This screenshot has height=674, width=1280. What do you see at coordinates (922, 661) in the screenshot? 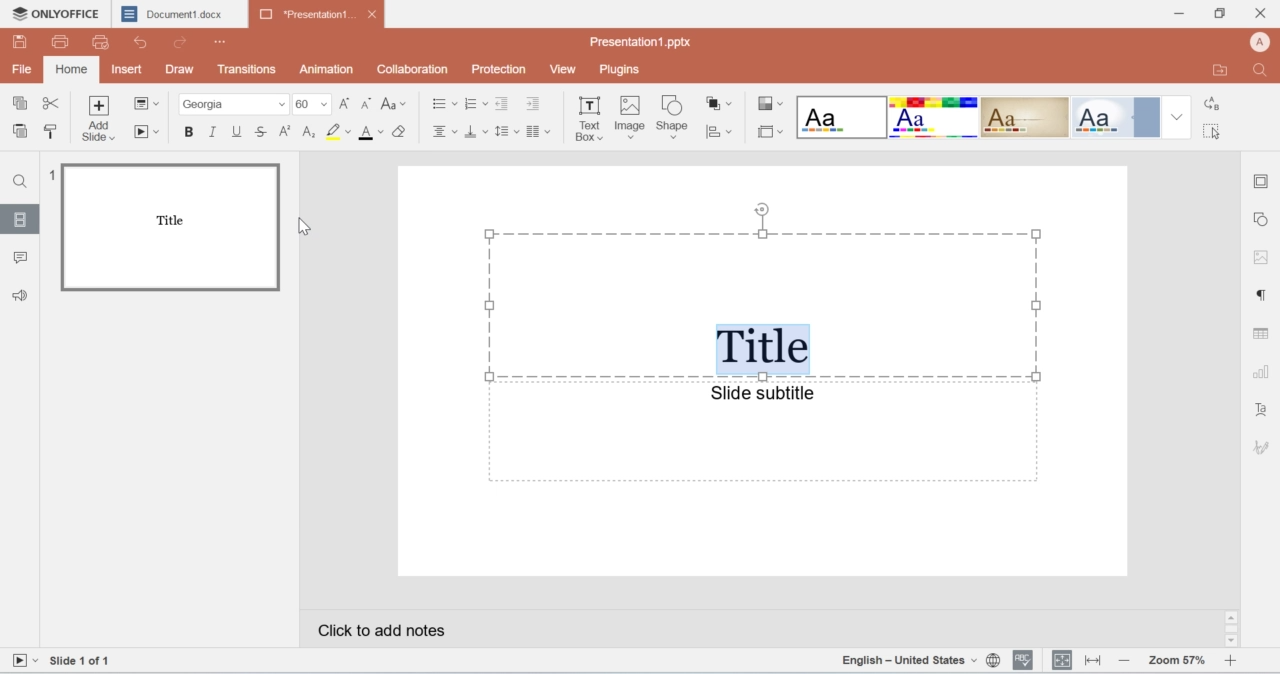
I see `language` at bounding box center [922, 661].